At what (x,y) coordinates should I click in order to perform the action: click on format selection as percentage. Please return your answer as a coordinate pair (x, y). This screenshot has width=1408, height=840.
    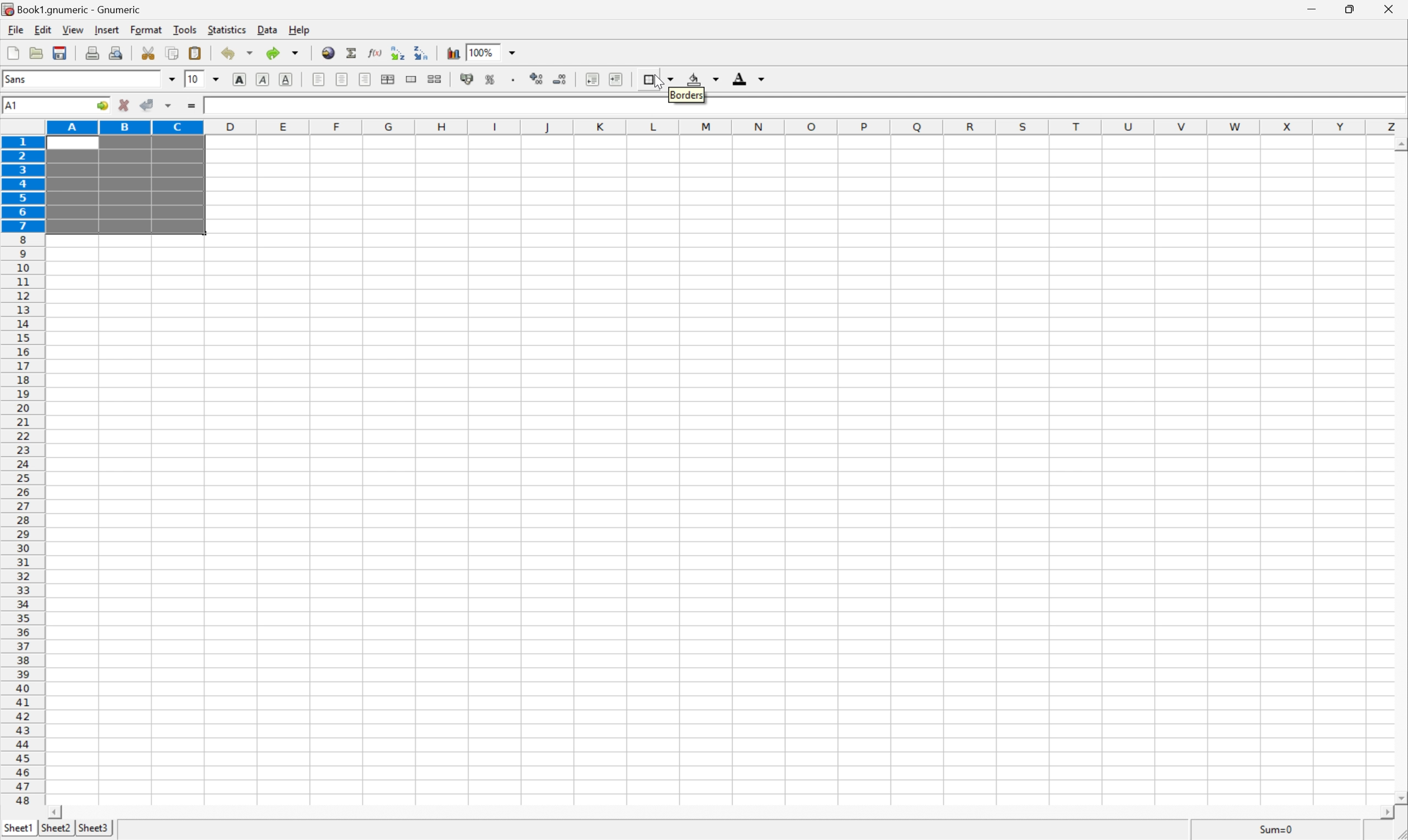
    Looking at the image, I should click on (491, 79).